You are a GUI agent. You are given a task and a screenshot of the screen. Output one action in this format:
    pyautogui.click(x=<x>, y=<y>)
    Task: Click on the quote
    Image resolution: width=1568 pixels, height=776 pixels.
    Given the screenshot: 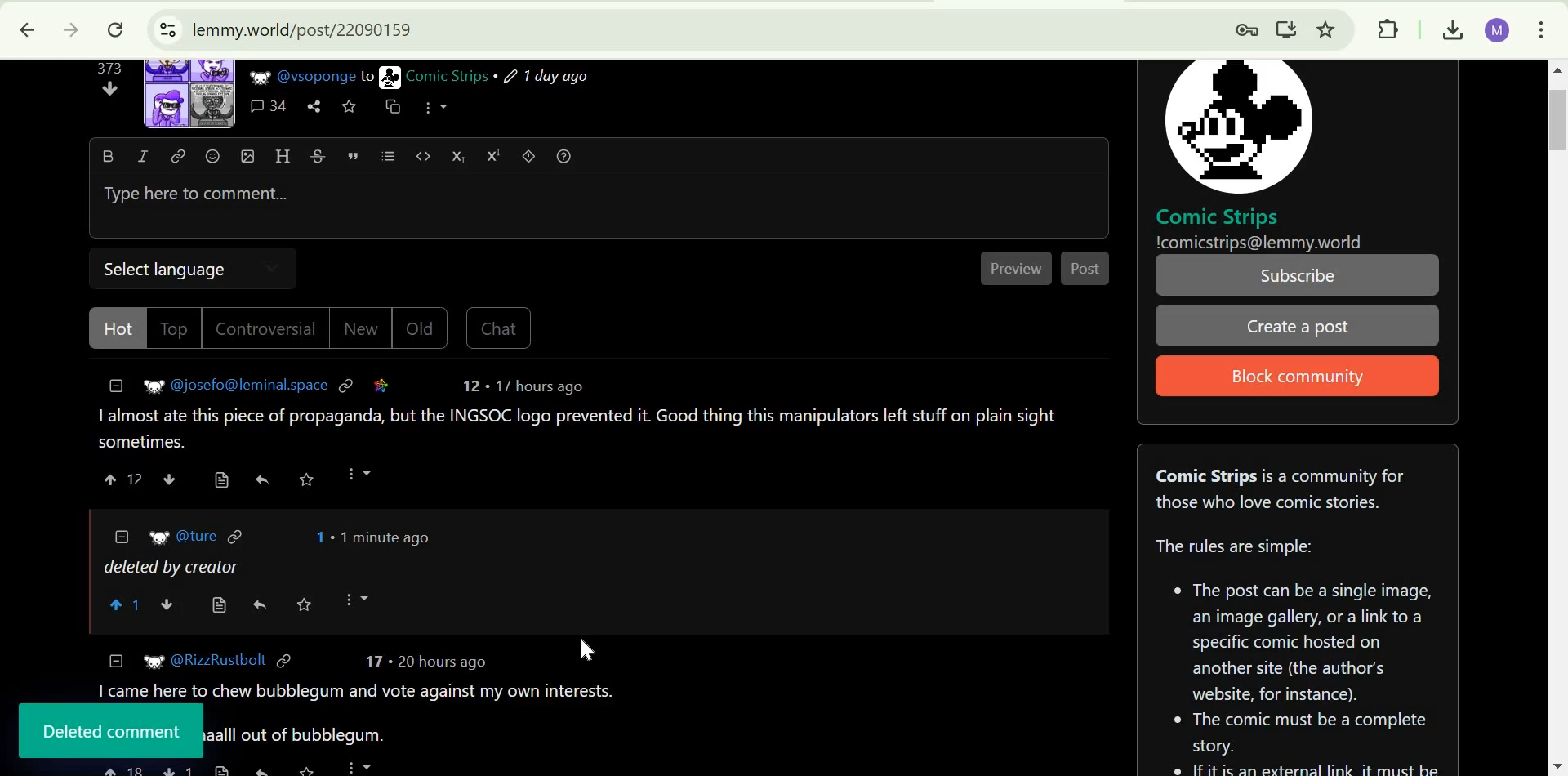 What is the action you would take?
    pyautogui.click(x=354, y=155)
    